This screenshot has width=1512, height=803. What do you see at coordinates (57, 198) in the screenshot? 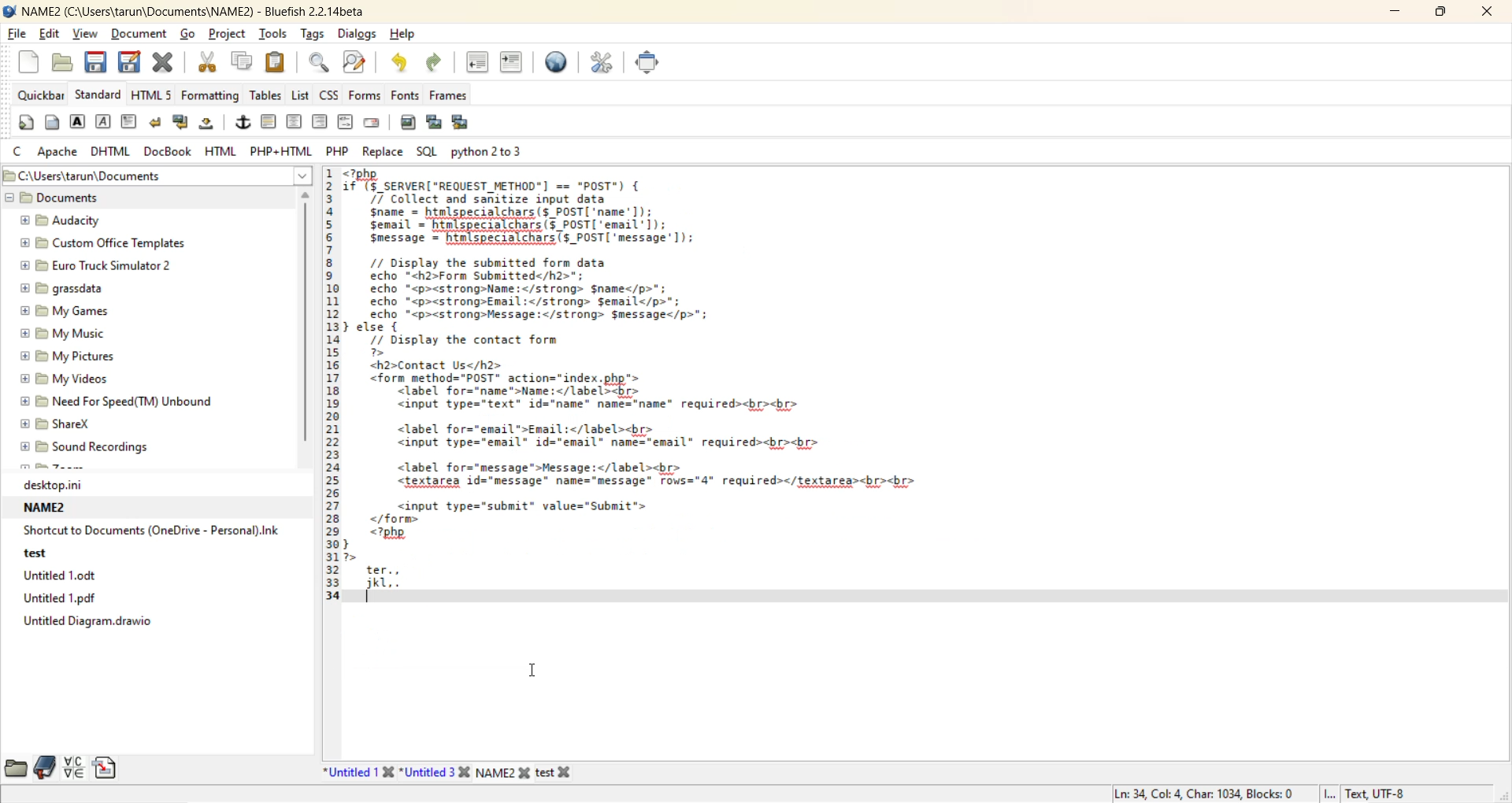
I see `documents` at bounding box center [57, 198].